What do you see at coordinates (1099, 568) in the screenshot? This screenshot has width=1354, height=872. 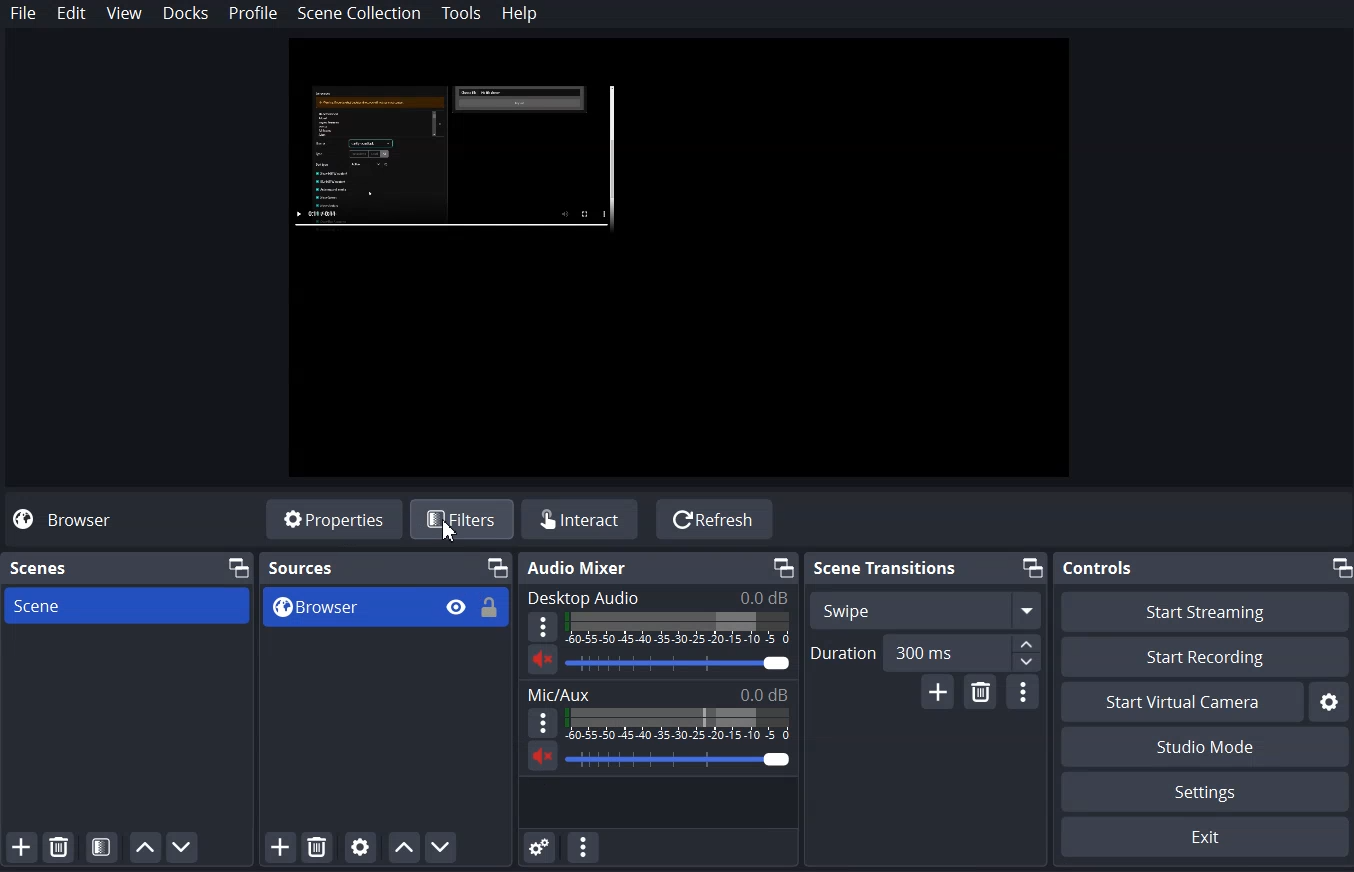 I see `Controls` at bounding box center [1099, 568].